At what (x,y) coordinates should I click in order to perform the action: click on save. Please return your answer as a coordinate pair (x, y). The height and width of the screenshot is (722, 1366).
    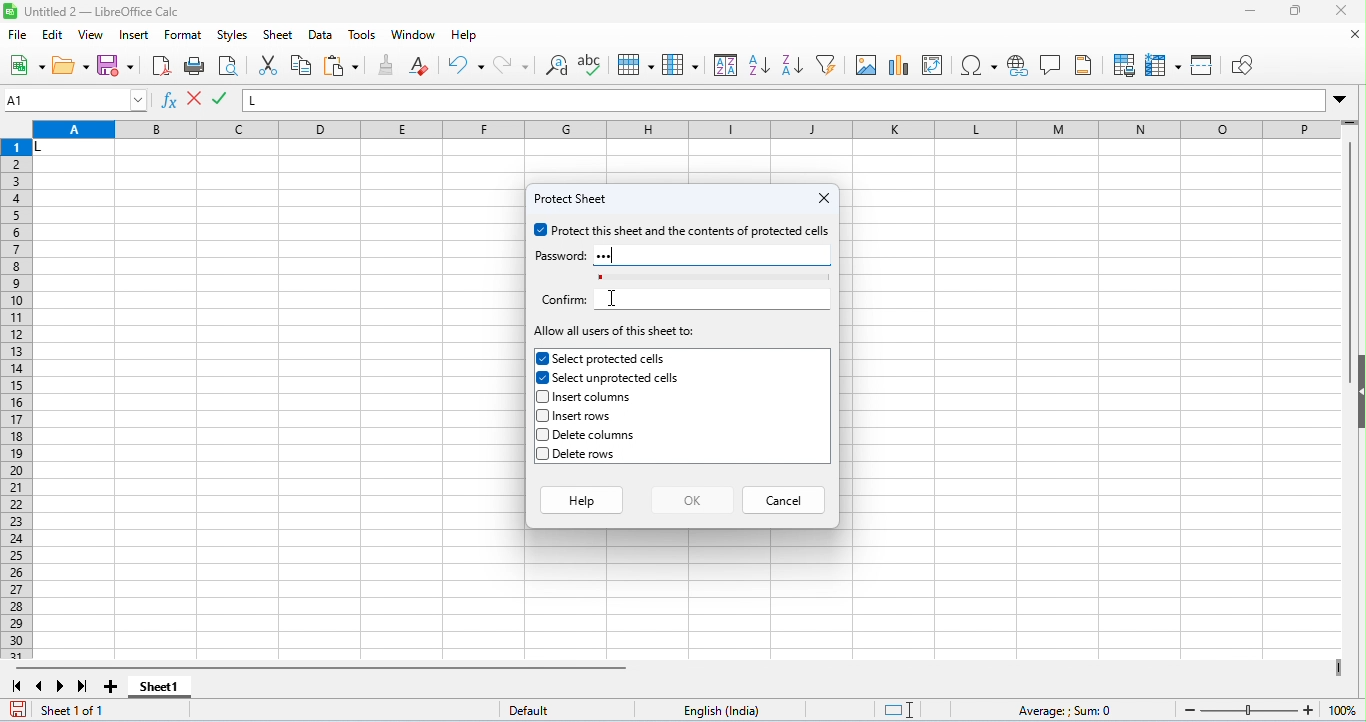
    Looking at the image, I should click on (116, 65).